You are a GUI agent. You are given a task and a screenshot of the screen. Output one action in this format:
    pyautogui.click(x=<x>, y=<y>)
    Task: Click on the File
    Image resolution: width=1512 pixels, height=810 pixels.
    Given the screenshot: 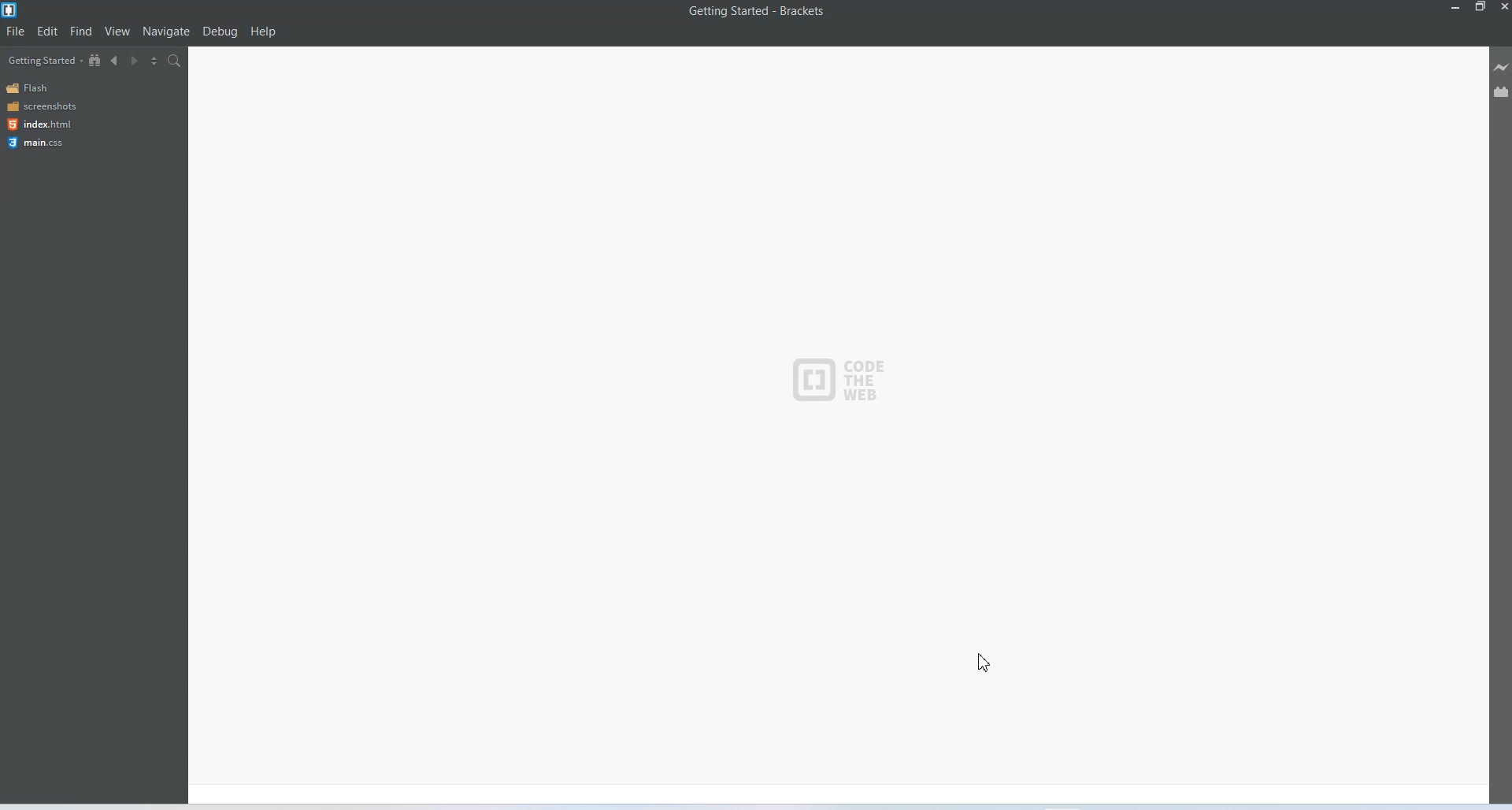 What is the action you would take?
    pyautogui.click(x=15, y=32)
    